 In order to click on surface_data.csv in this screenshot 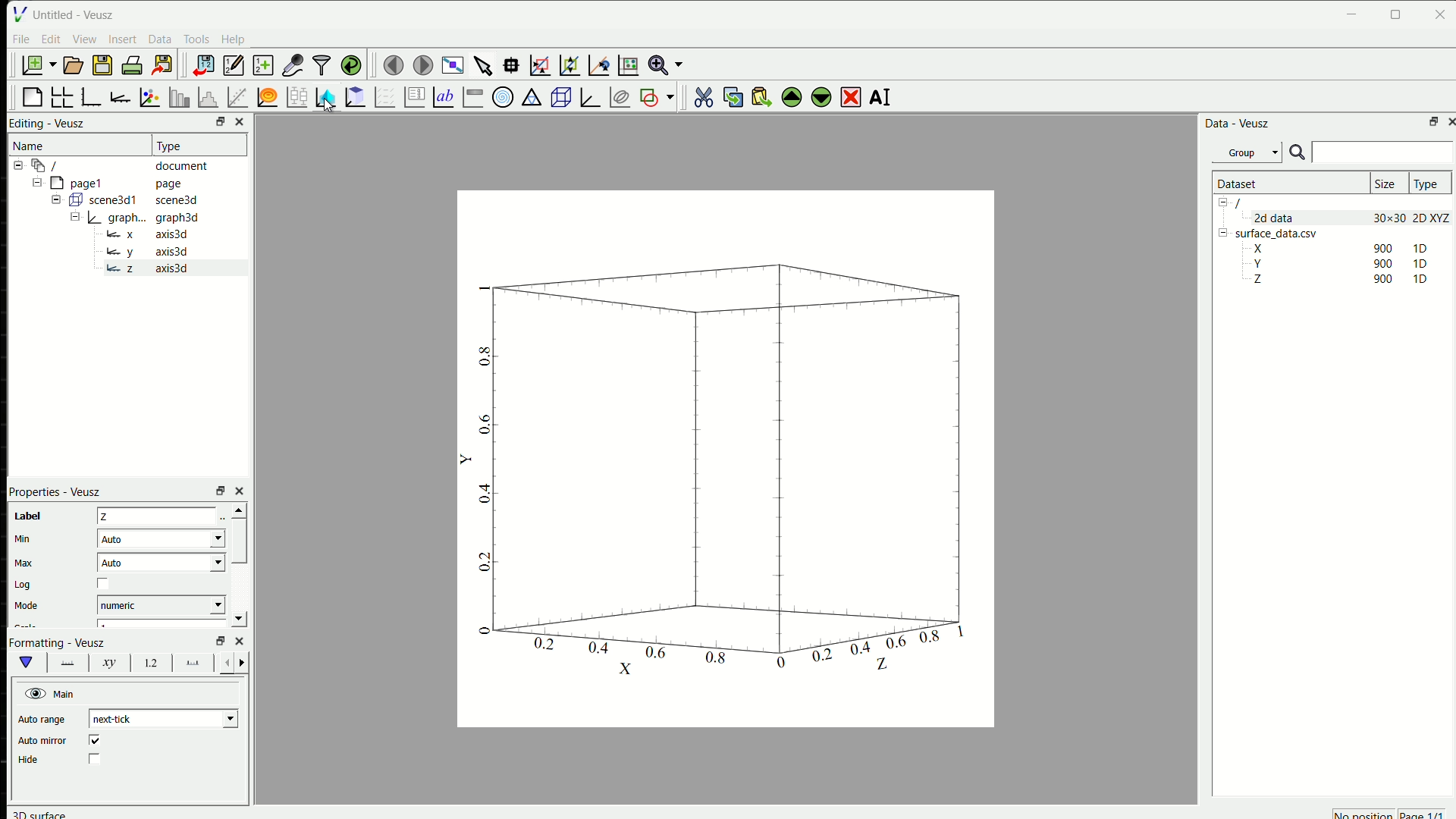, I will do `click(1278, 234)`.